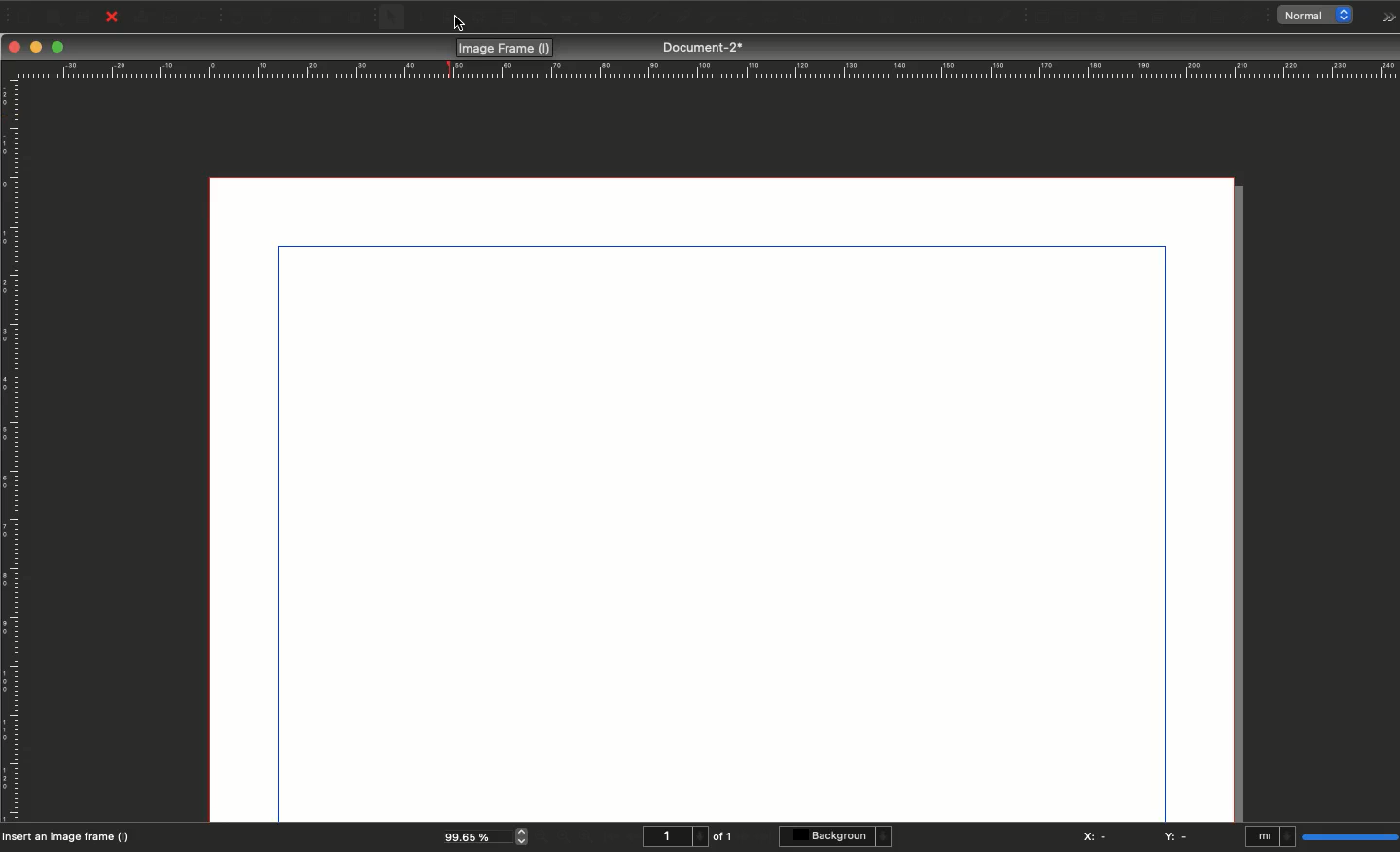  Describe the element at coordinates (705, 47) in the screenshot. I see `Document-2*` at that location.